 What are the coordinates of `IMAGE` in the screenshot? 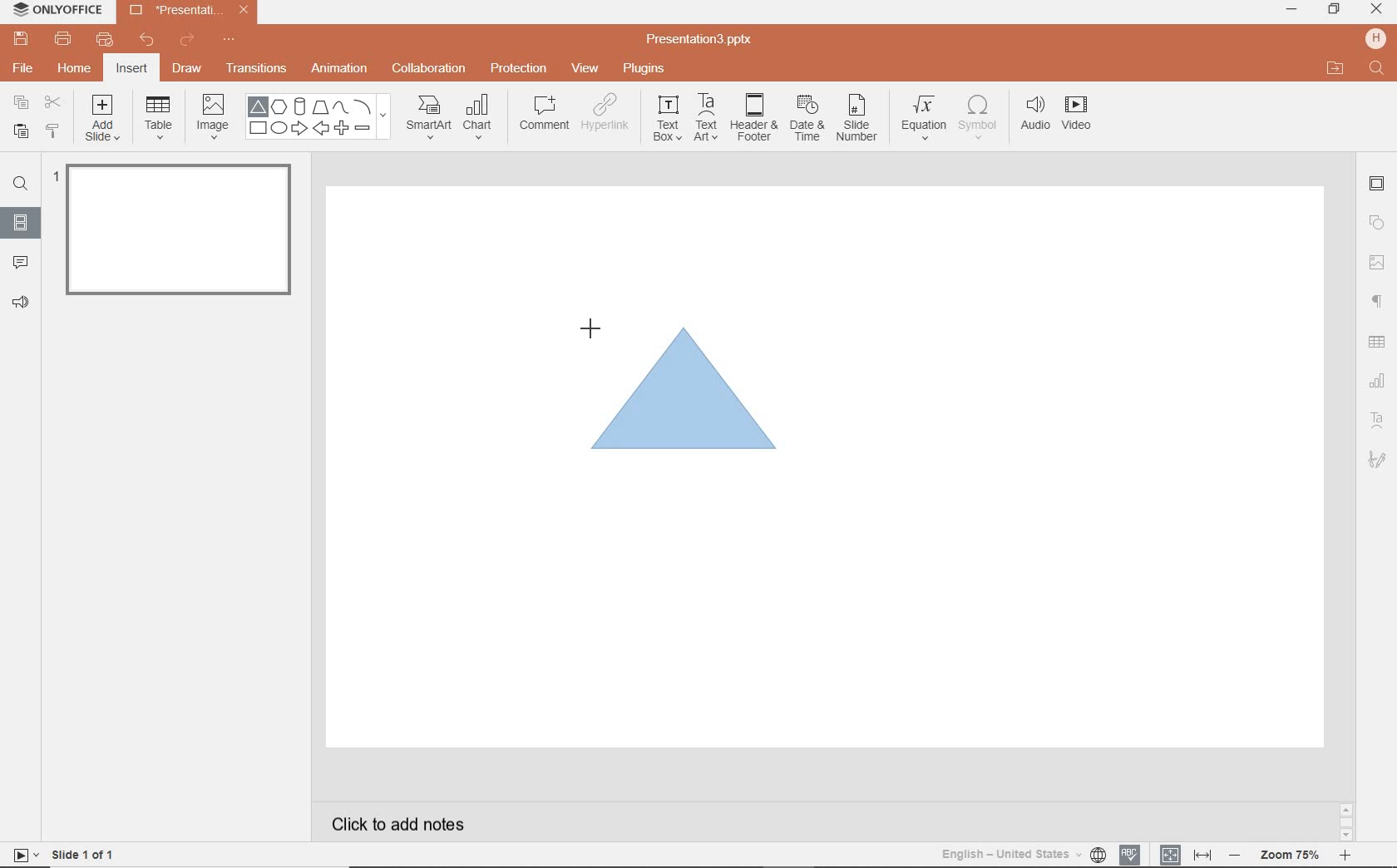 It's located at (212, 118).